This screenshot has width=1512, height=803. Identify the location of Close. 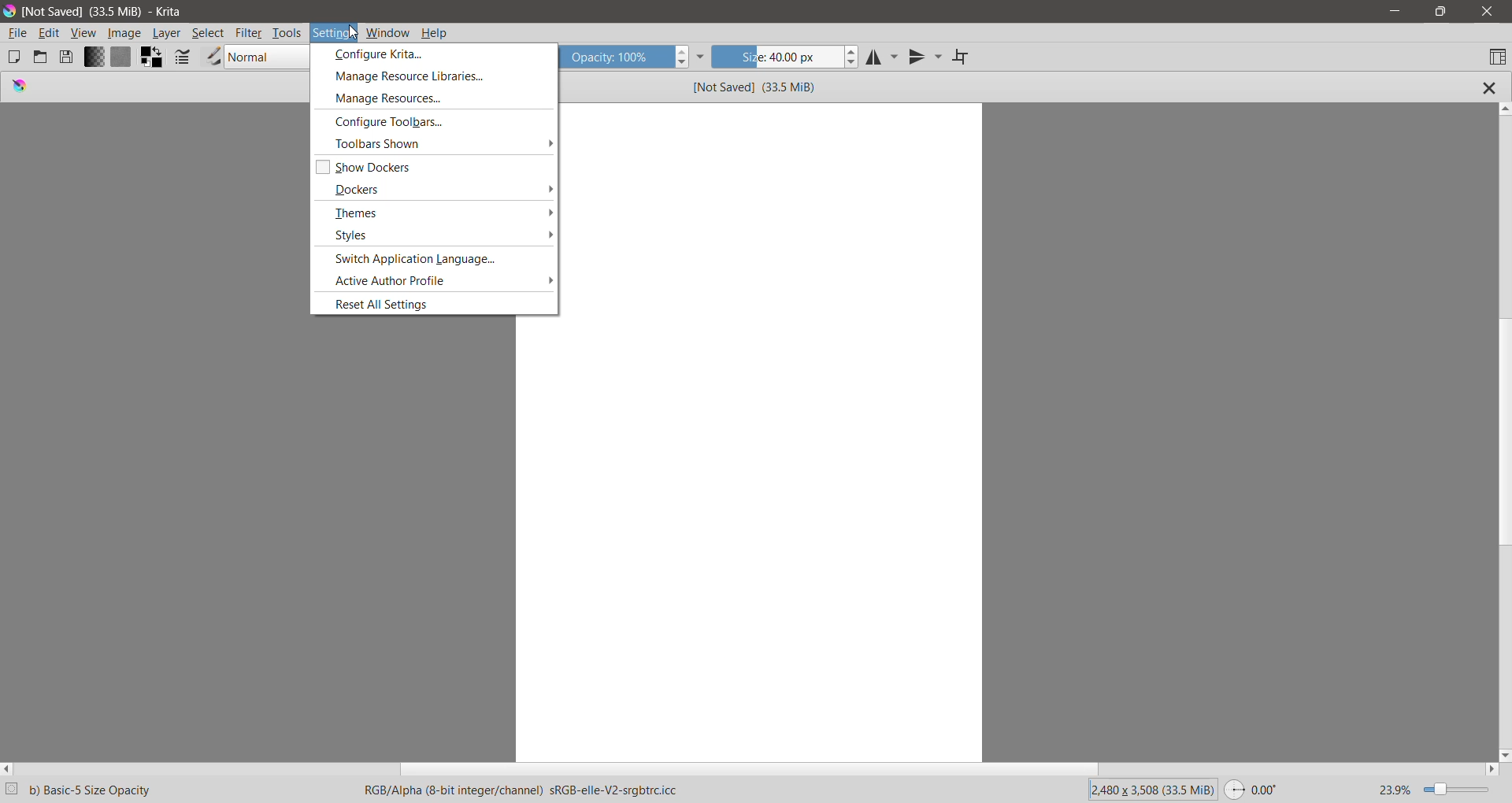
(1489, 88).